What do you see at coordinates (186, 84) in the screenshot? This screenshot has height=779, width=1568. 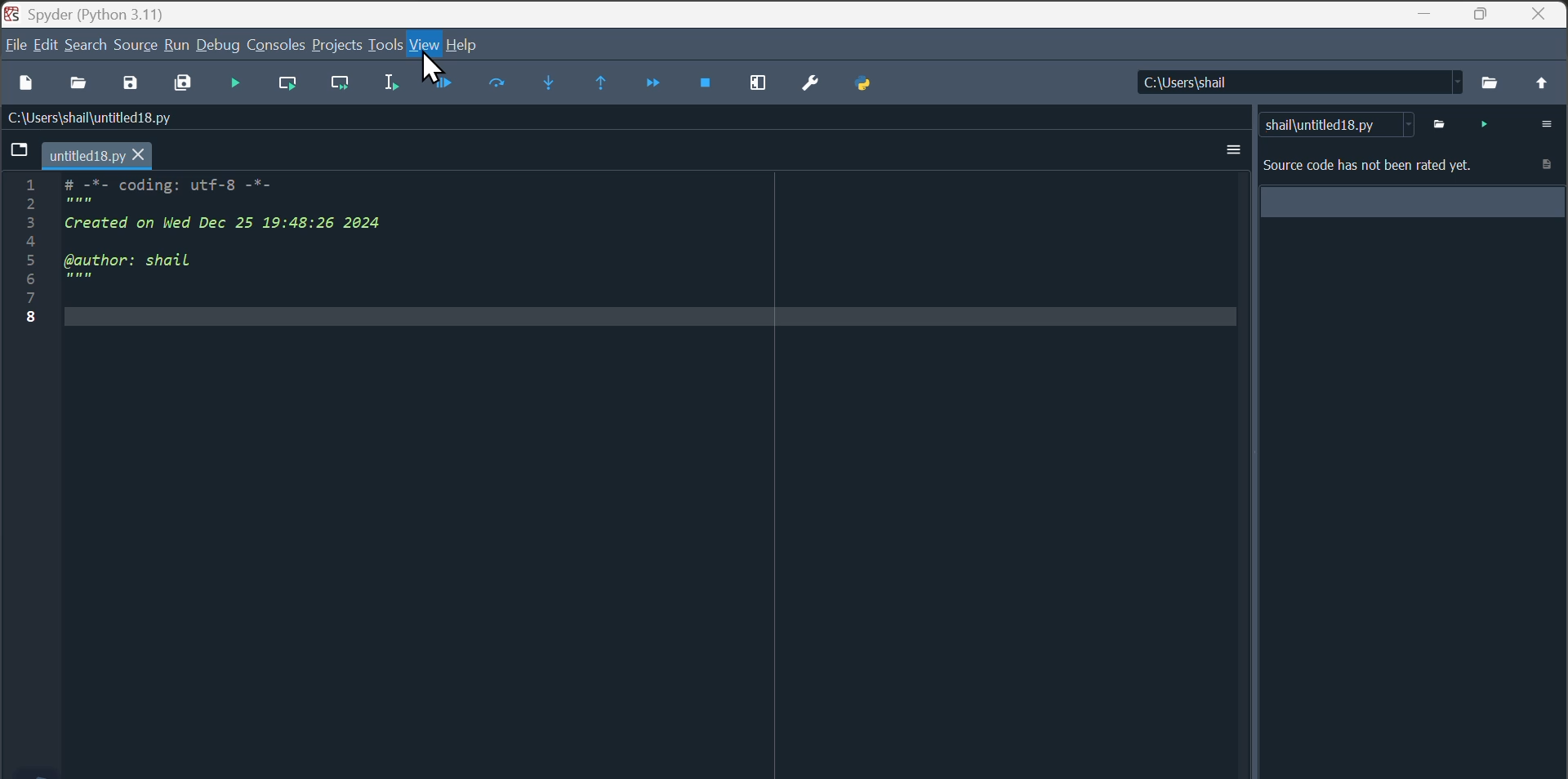 I see `Save all` at bounding box center [186, 84].